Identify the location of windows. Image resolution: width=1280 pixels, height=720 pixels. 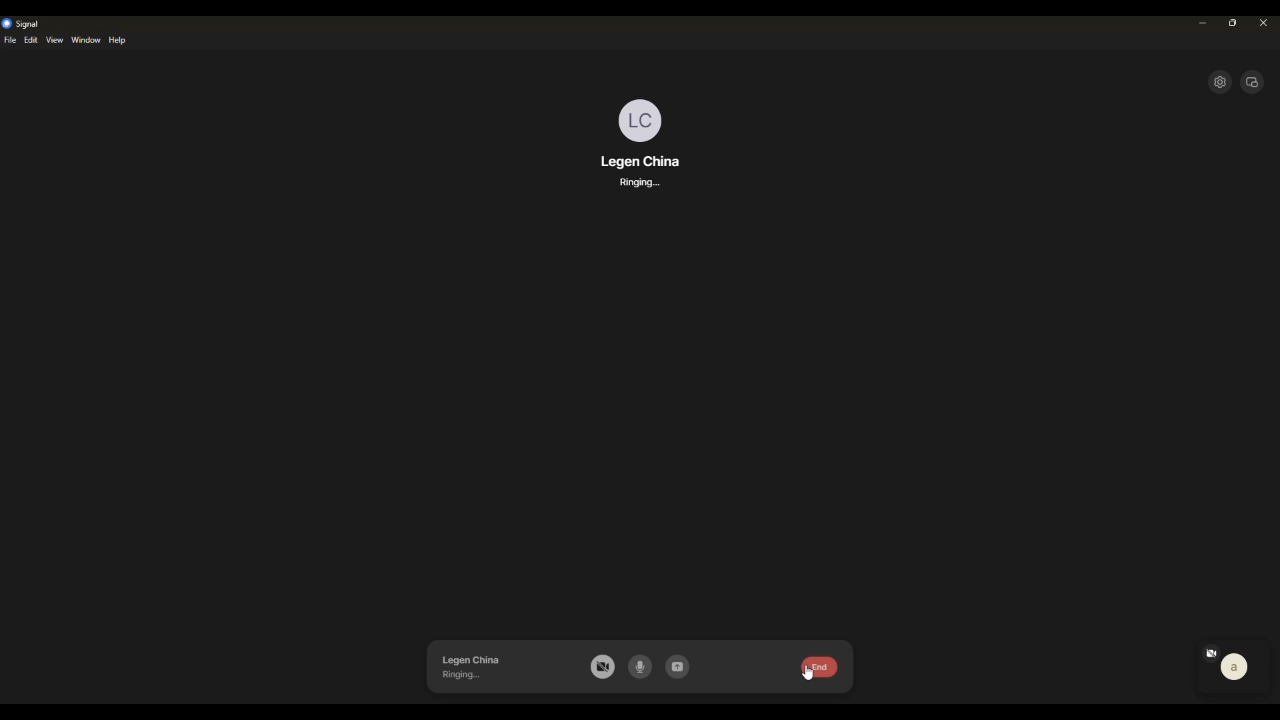
(86, 40).